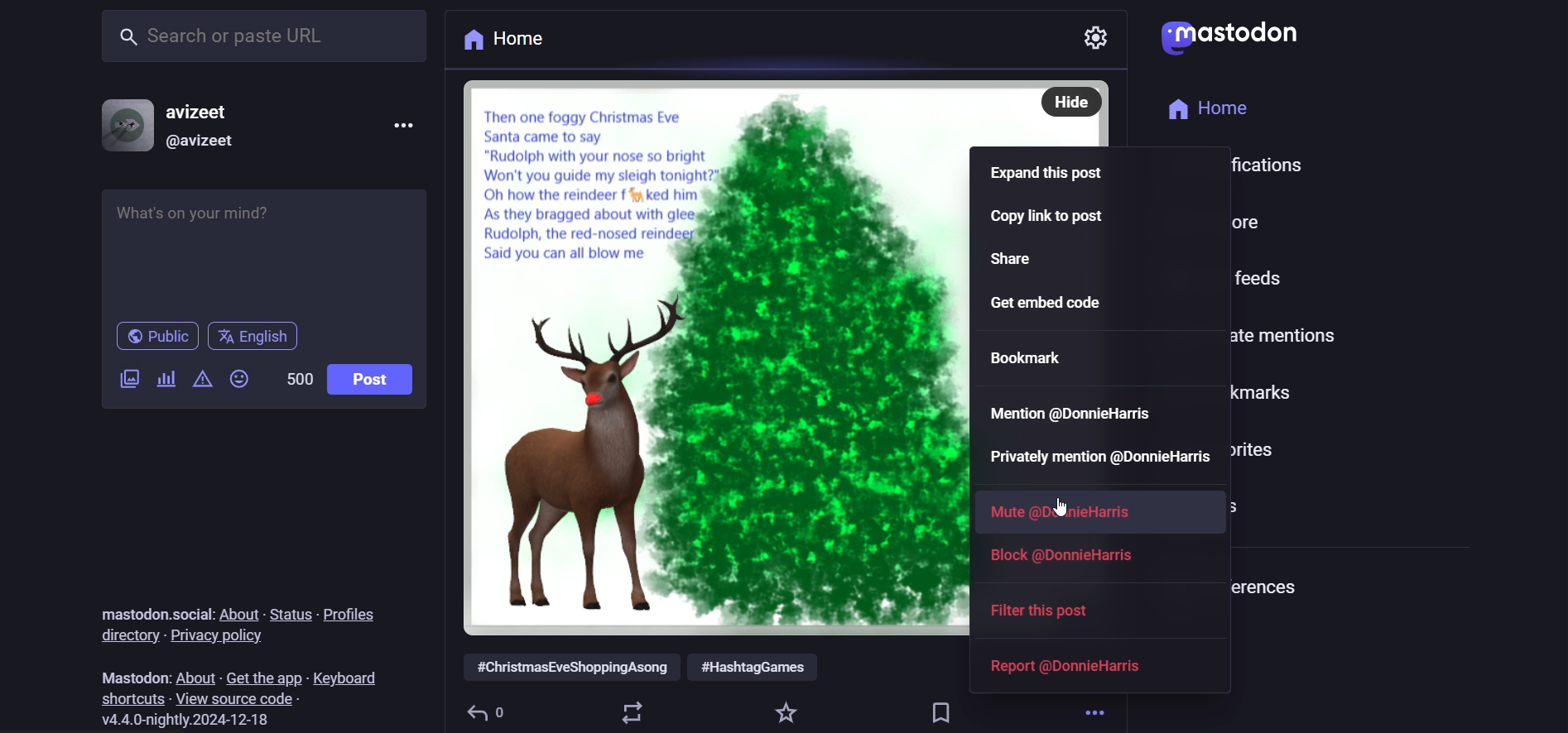 This screenshot has width=1568, height=733. Describe the element at coordinates (1054, 506) in the screenshot. I see `cursor` at that location.